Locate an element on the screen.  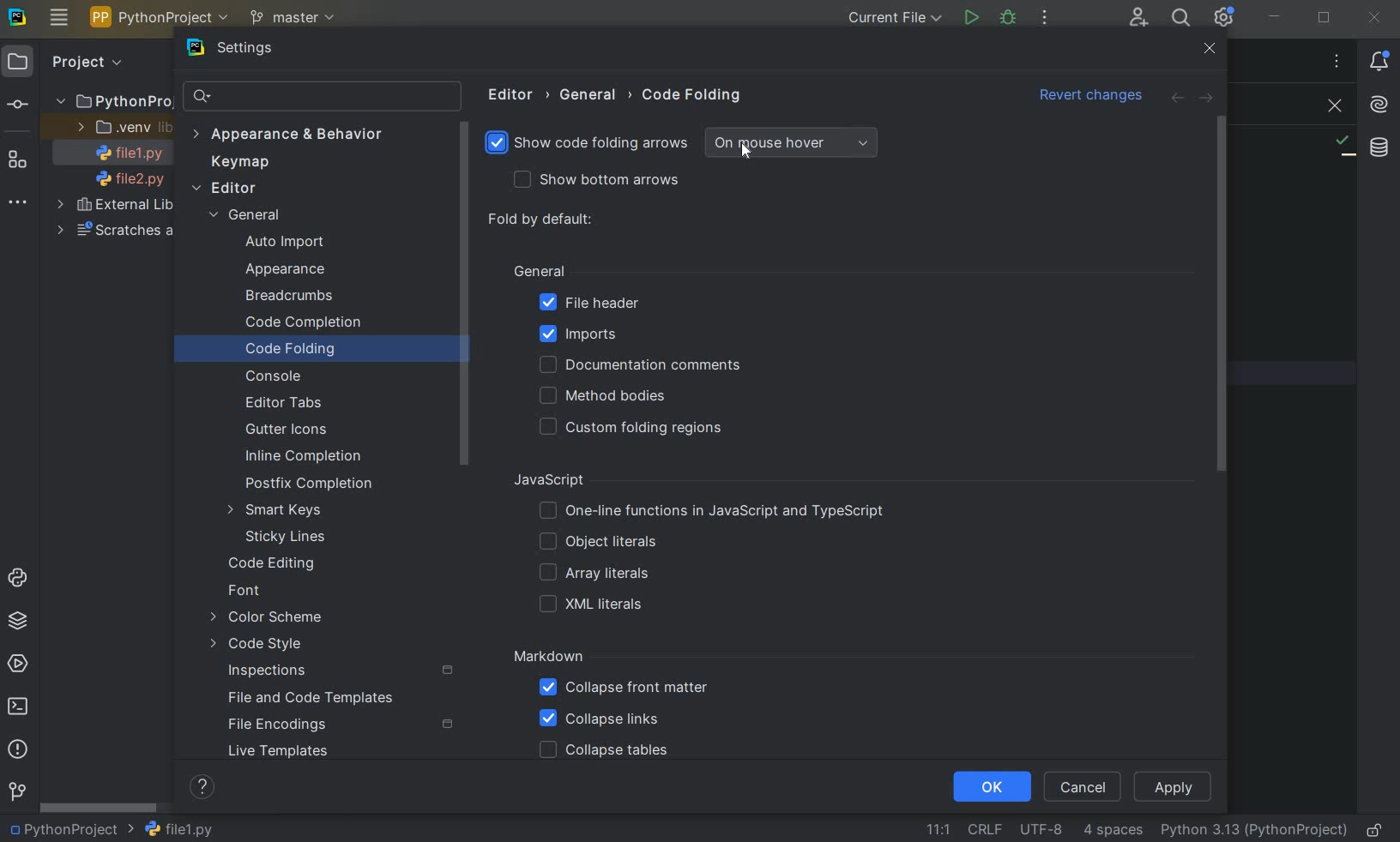
FORWARD is located at coordinates (1208, 99).